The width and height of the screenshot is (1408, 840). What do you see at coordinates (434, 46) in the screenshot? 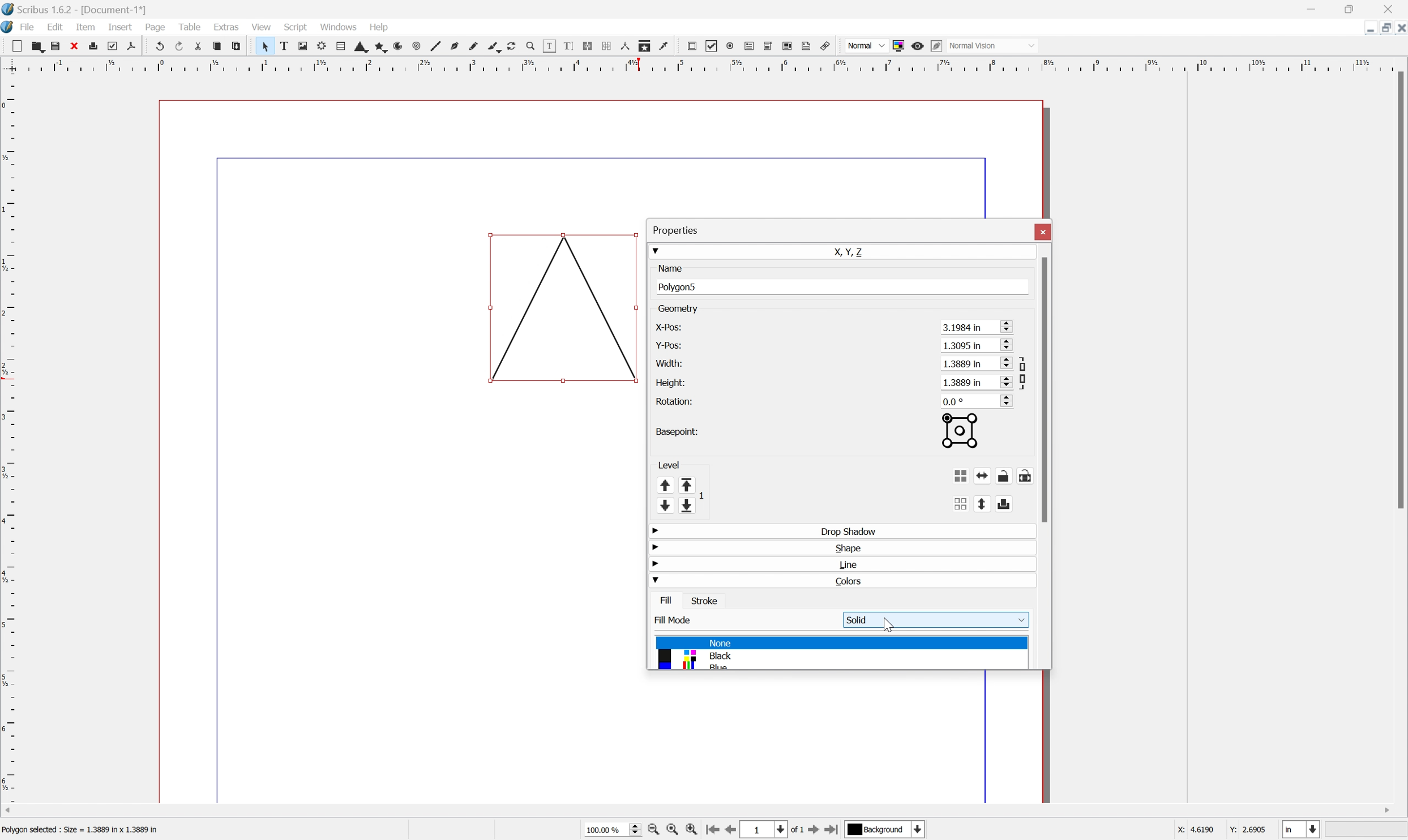
I see `Line` at bounding box center [434, 46].